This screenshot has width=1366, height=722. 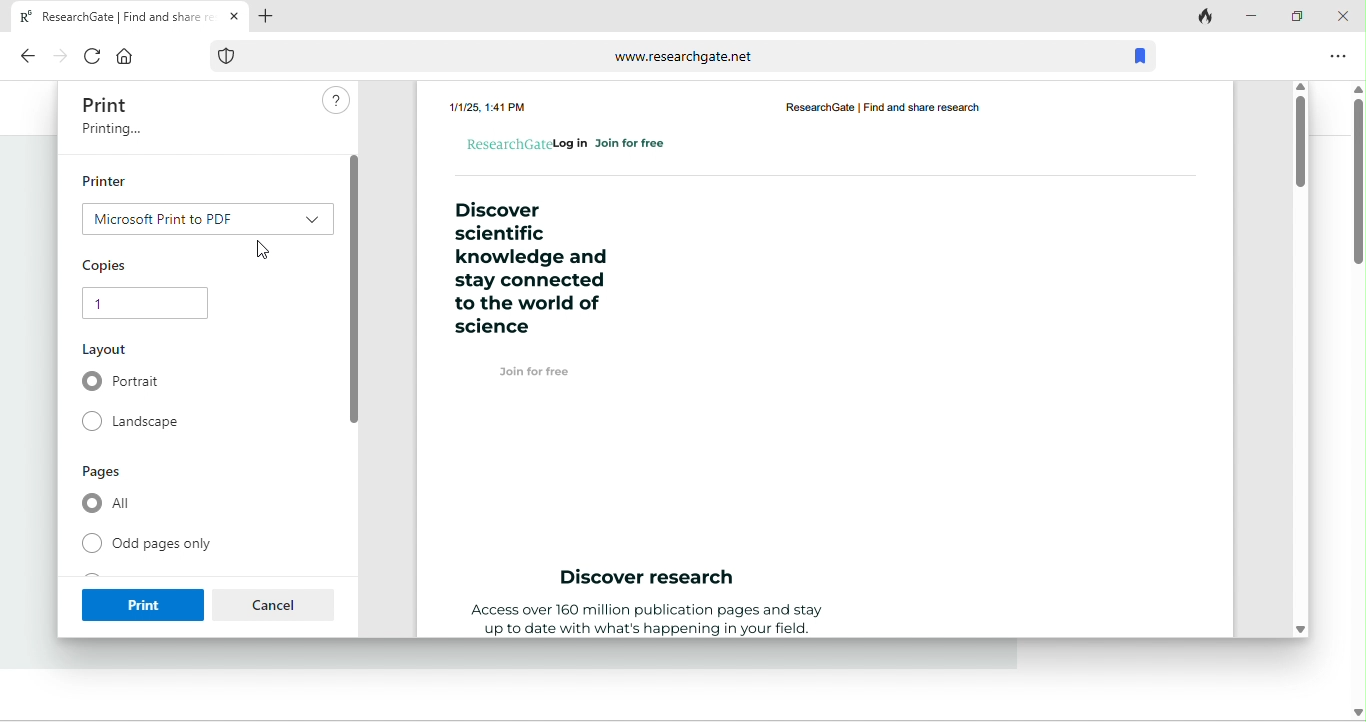 I want to click on all, so click(x=110, y=505).